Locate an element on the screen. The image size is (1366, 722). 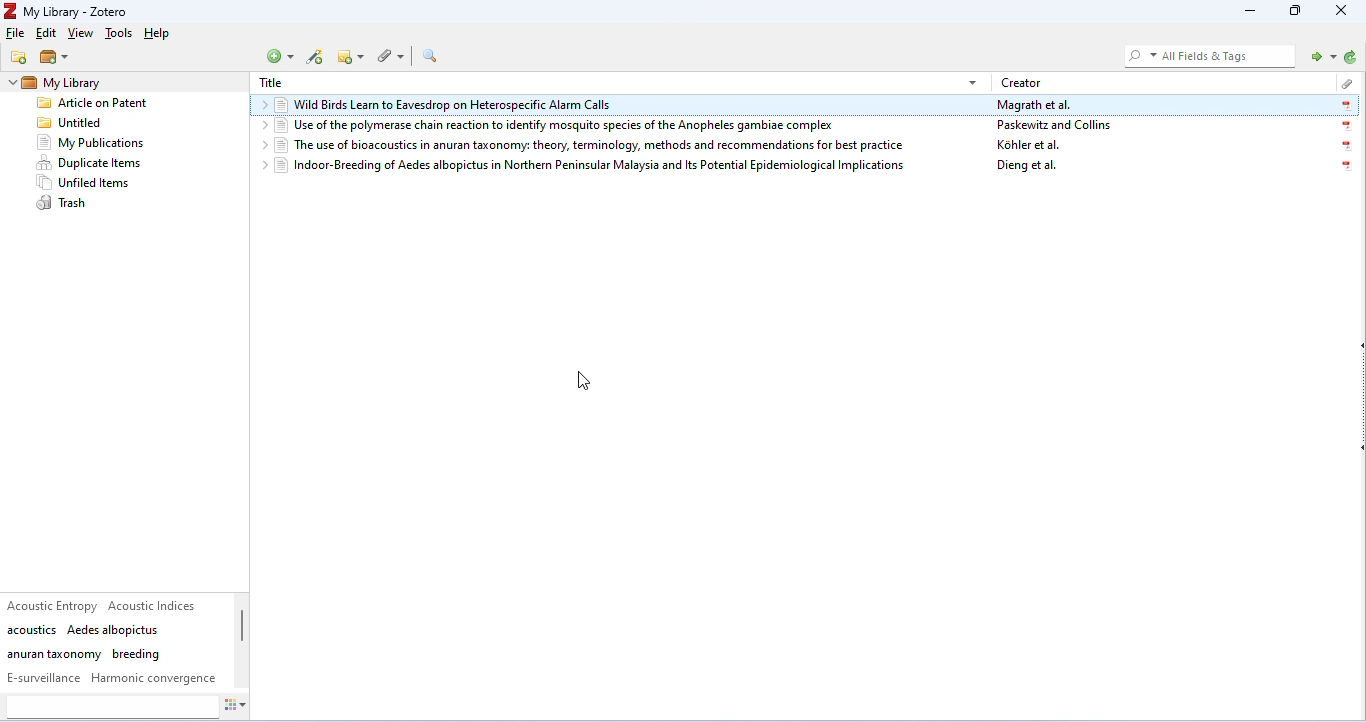
view is located at coordinates (83, 35).